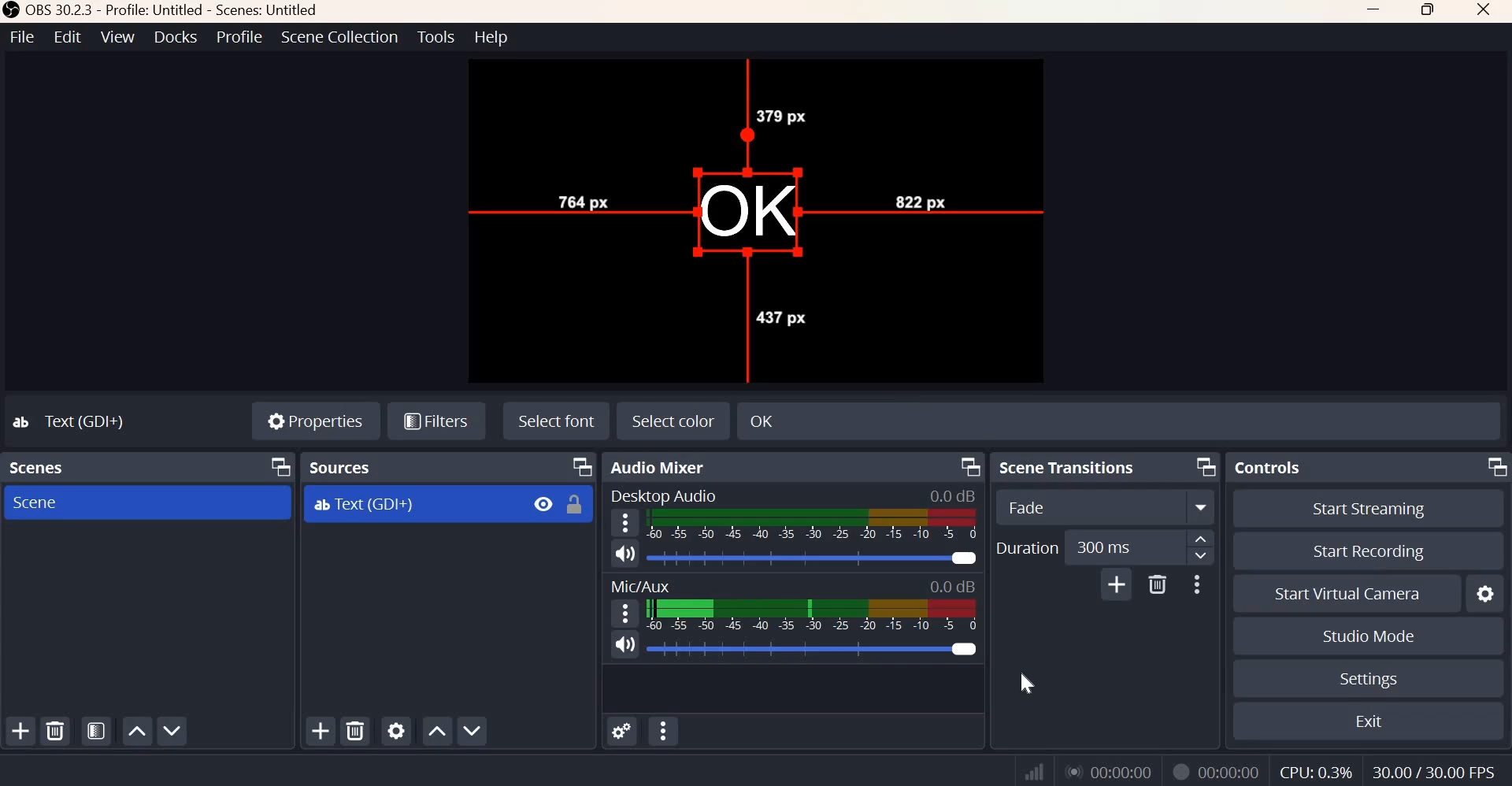 The height and width of the screenshot is (786, 1512). I want to click on Edit, so click(68, 36).